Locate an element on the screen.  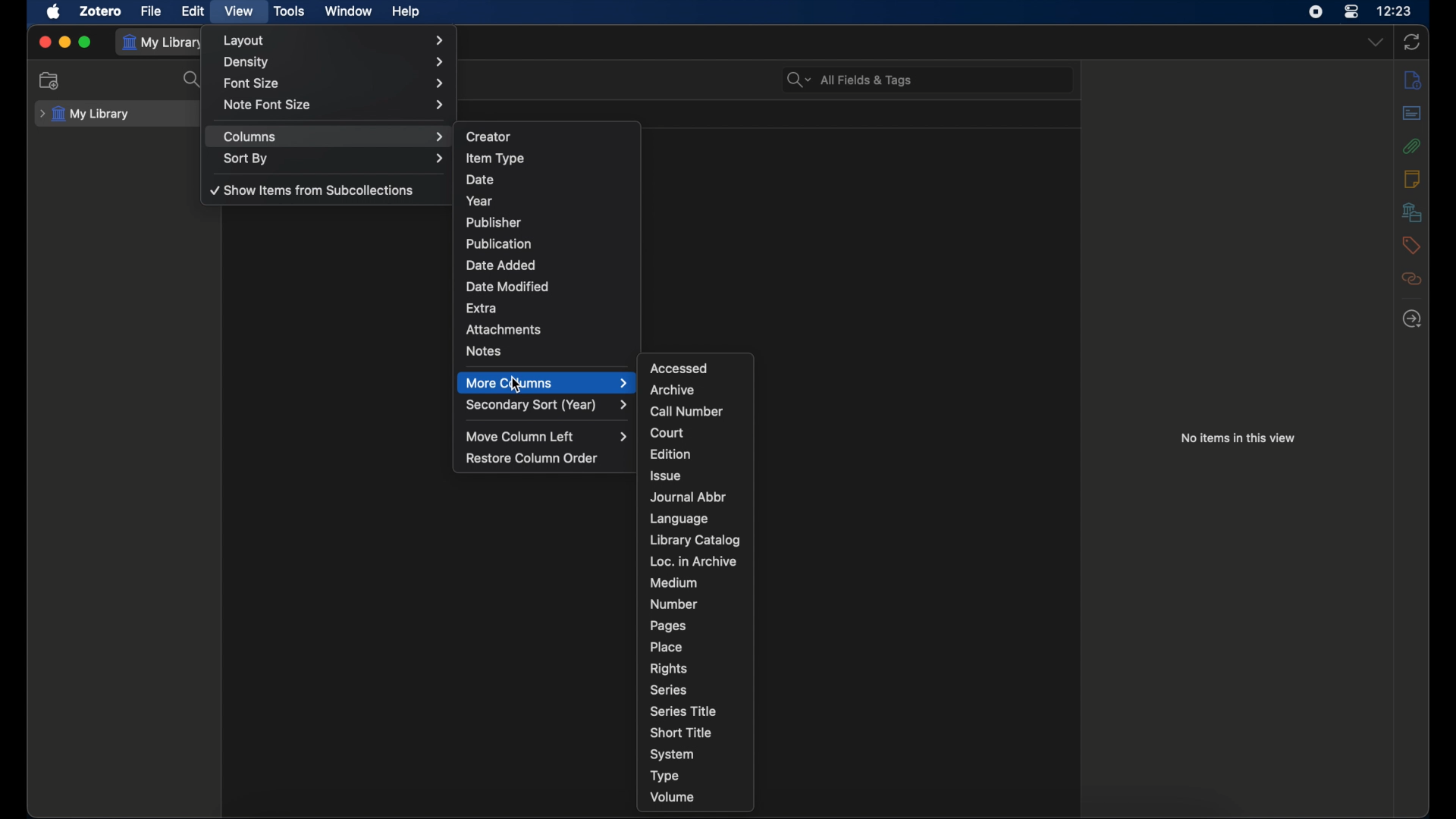
help is located at coordinates (406, 11).